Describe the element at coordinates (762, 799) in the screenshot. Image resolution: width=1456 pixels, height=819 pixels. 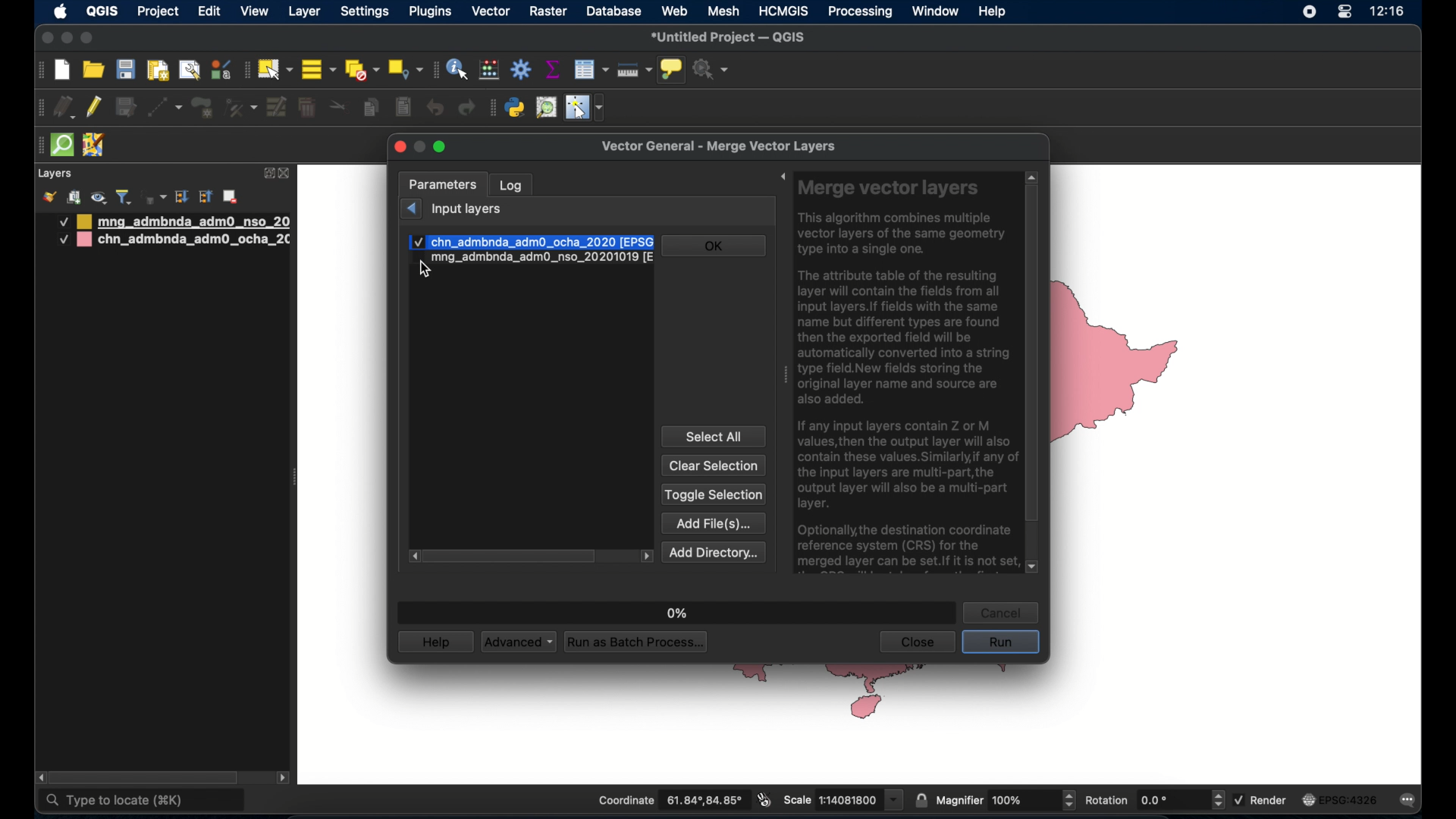
I see `toggle extents and mouse position display` at that location.